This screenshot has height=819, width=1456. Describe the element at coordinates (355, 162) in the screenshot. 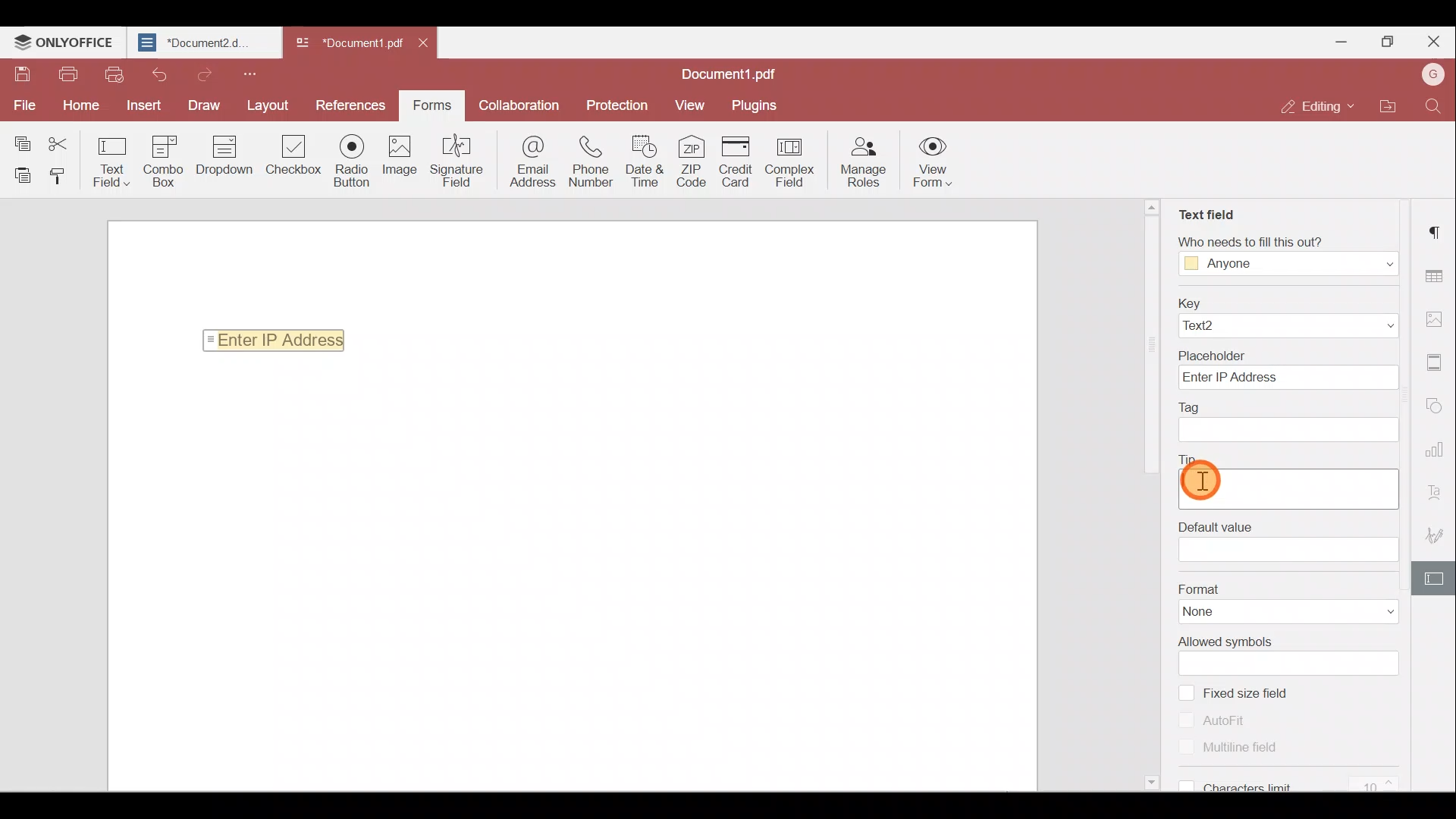

I see `Radio button` at that location.